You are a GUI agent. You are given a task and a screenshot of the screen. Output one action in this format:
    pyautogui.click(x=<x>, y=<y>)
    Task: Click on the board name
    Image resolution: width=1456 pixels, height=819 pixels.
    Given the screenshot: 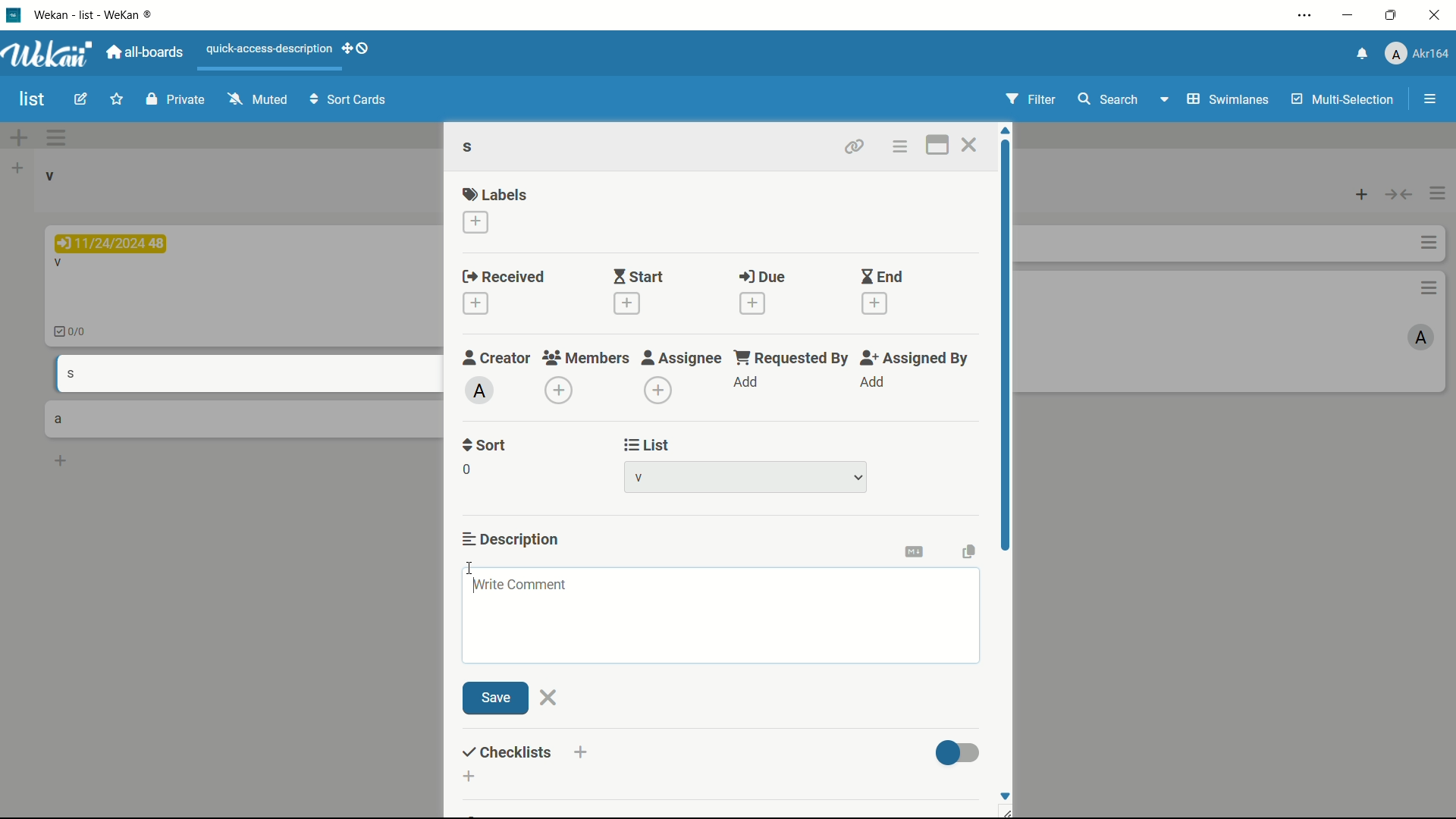 What is the action you would take?
    pyautogui.click(x=33, y=100)
    